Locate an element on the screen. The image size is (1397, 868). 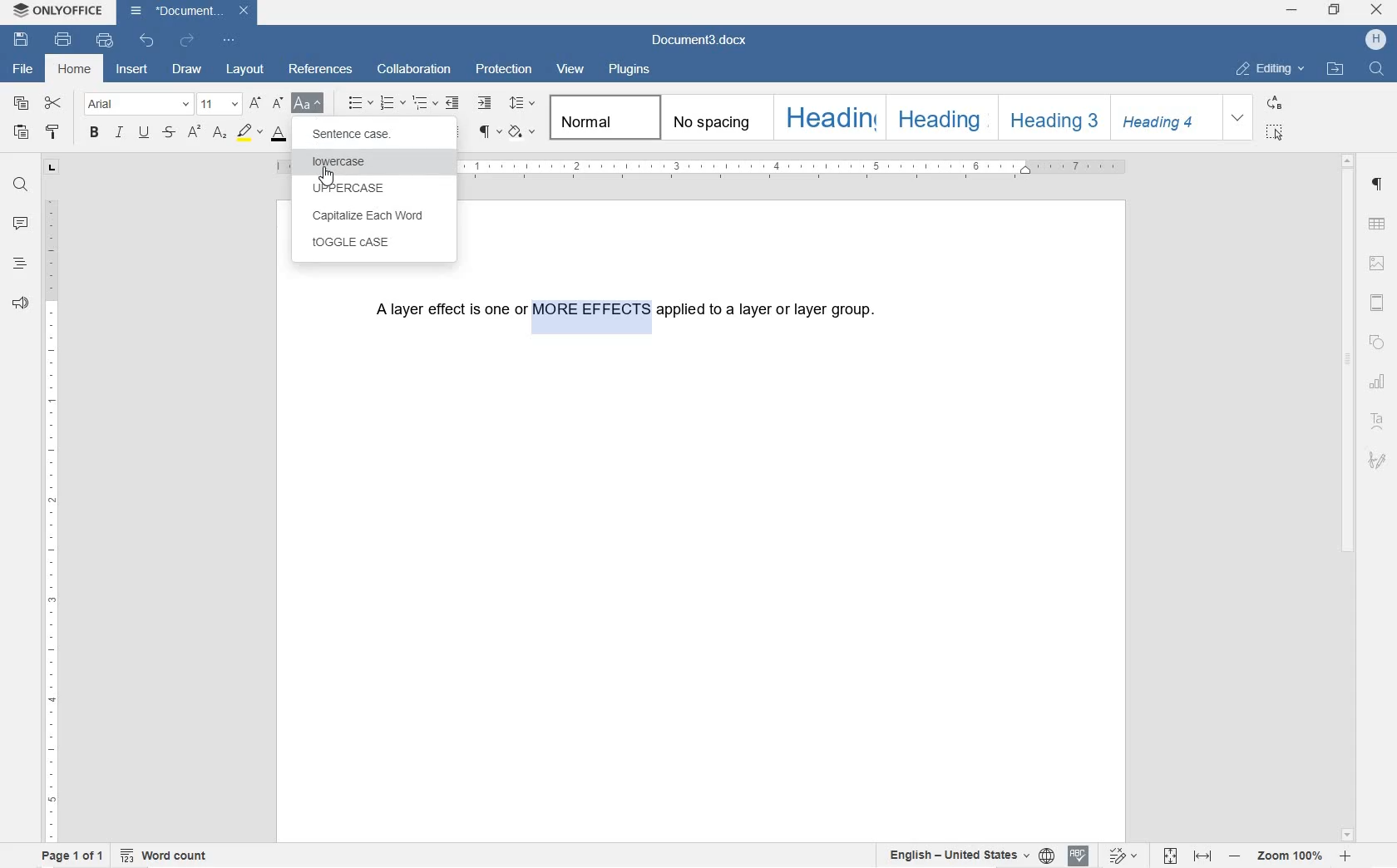
RULER is located at coordinates (799, 169).